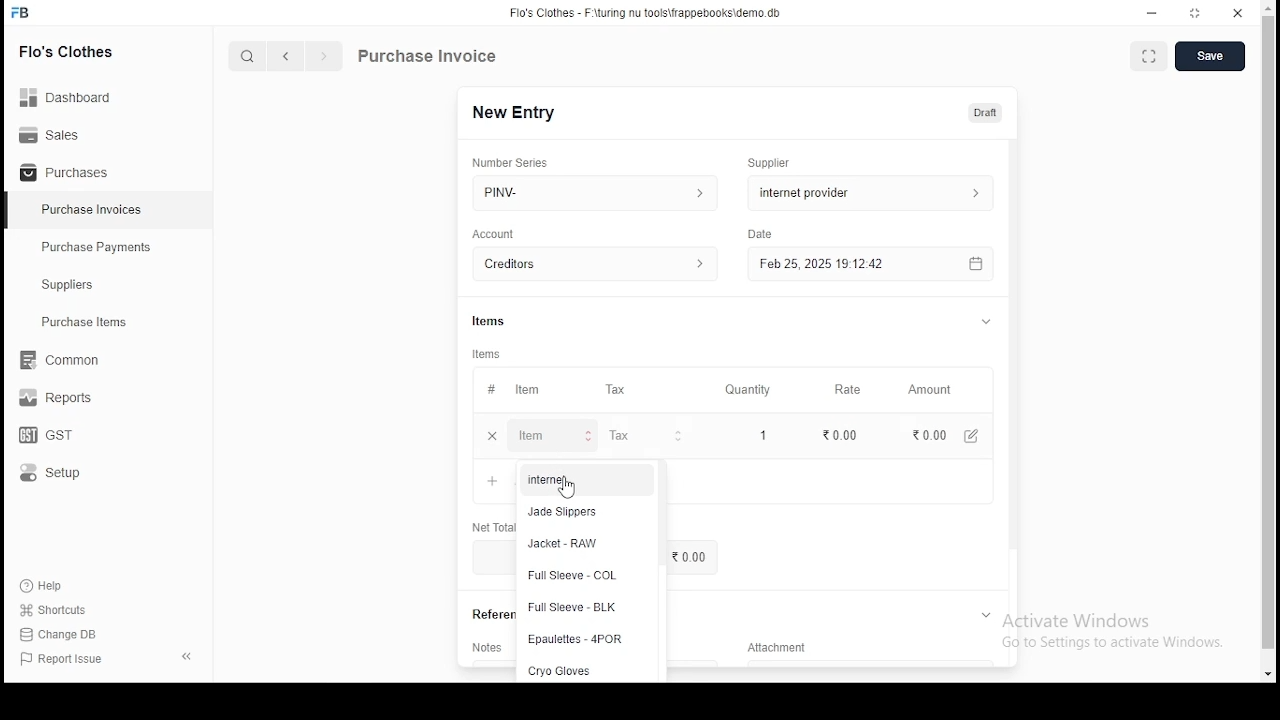 Image resolution: width=1280 pixels, height=720 pixels. What do you see at coordinates (1240, 13) in the screenshot?
I see `close window` at bounding box center [1240, 13].